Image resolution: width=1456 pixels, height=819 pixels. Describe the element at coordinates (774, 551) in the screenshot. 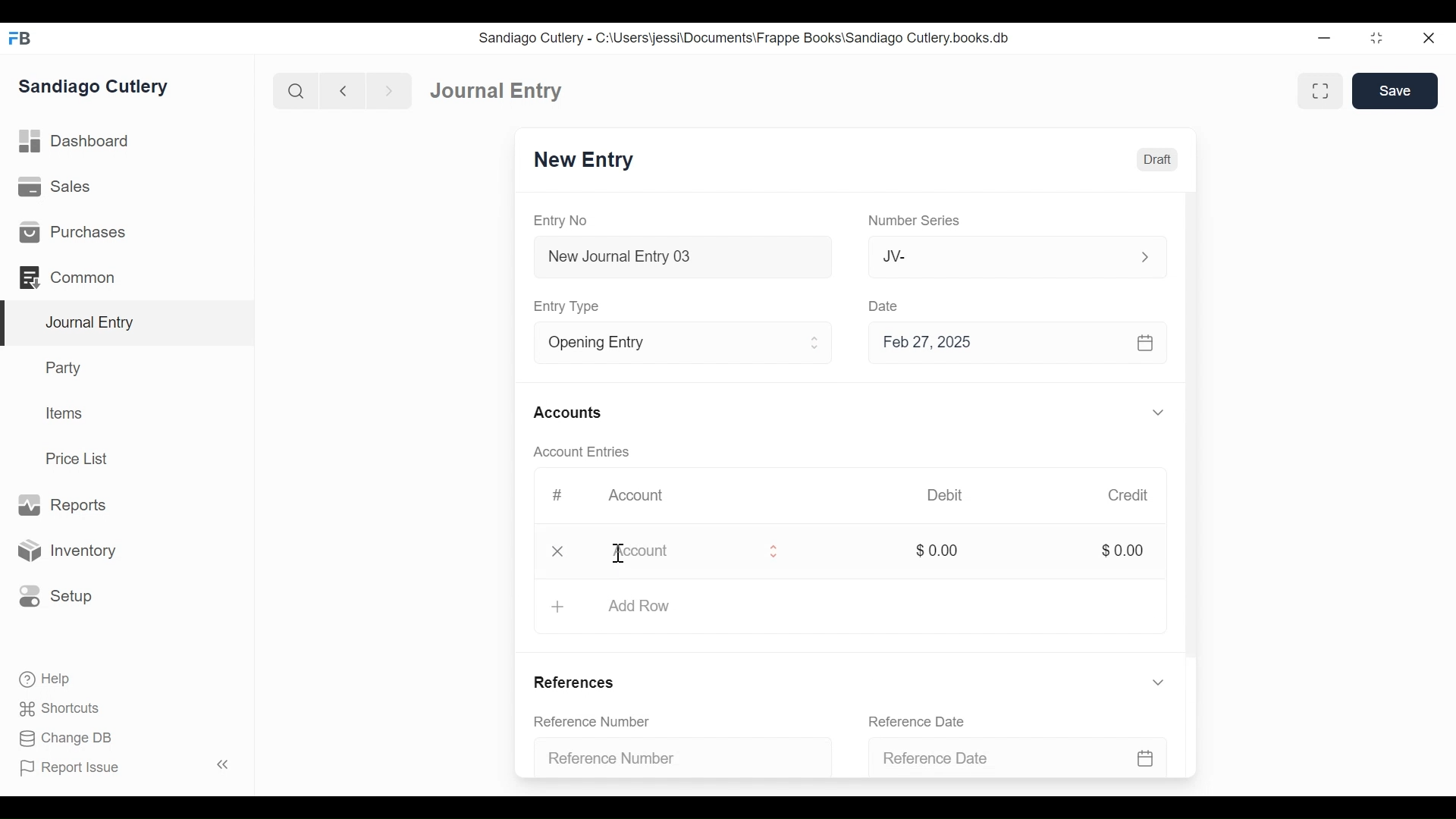

I see `Expand` at that location.